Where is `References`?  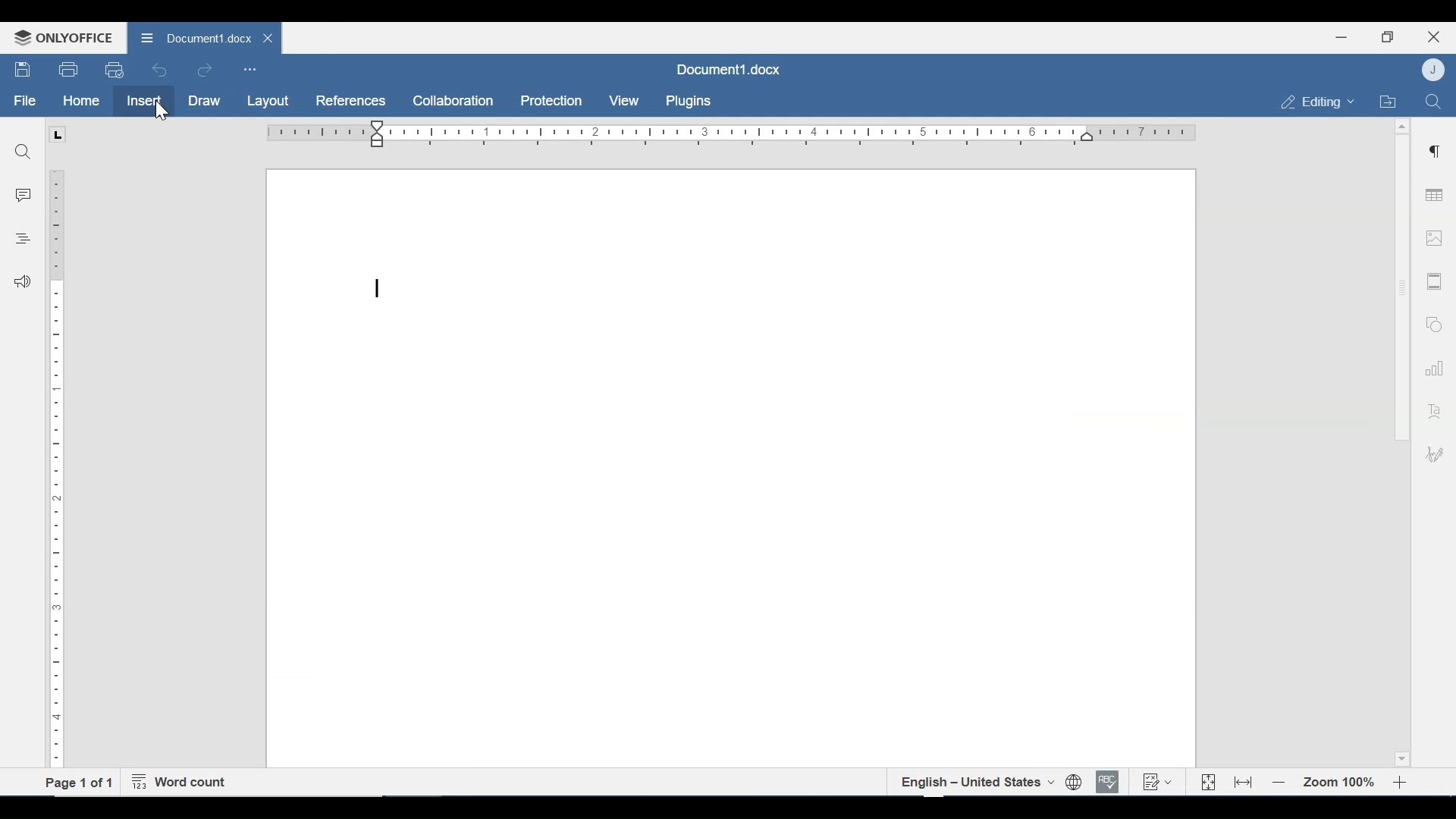 References is located at coordinates (349, 101).